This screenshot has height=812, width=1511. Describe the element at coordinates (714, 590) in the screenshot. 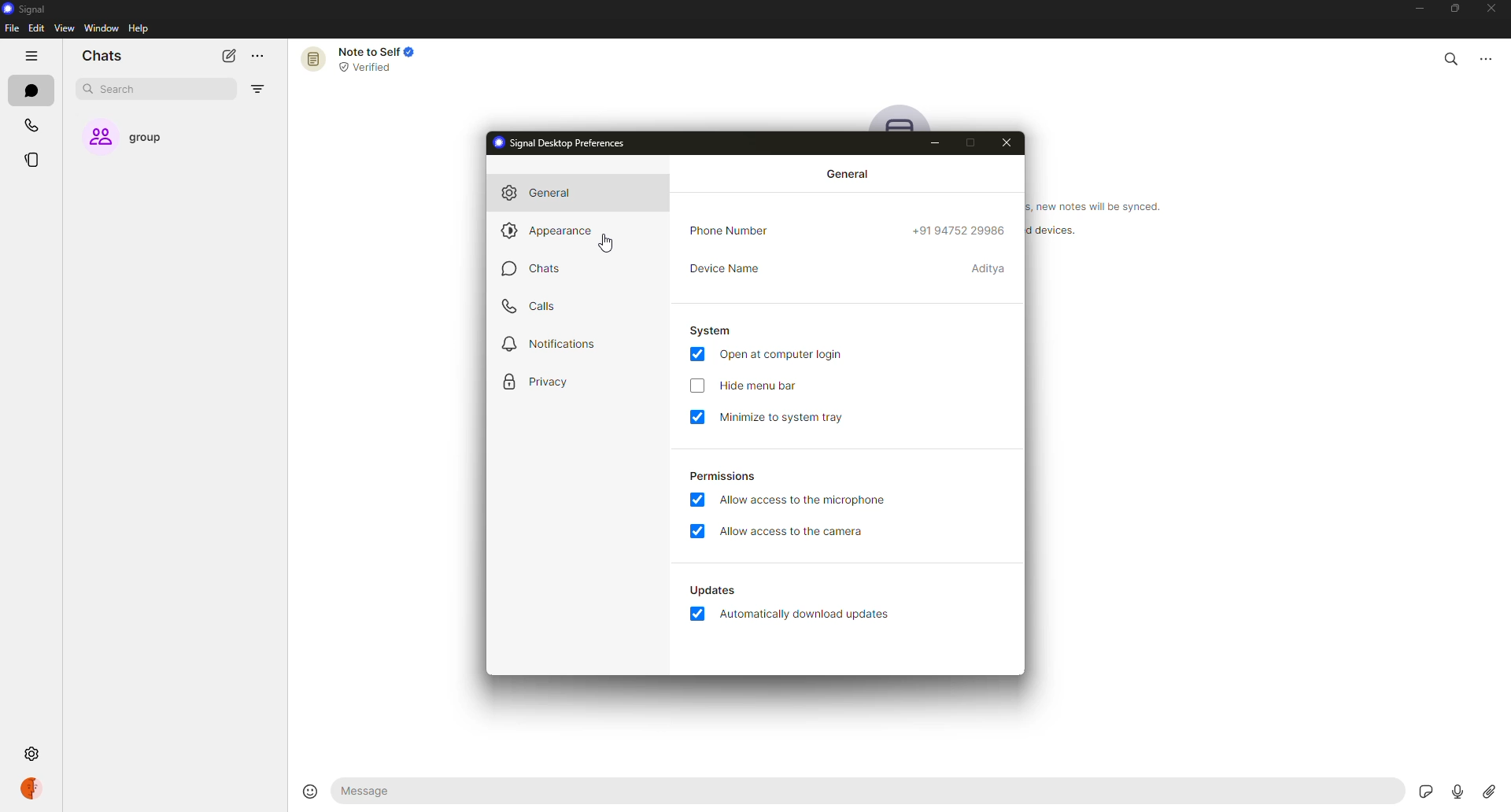

I see `updates` at that location.